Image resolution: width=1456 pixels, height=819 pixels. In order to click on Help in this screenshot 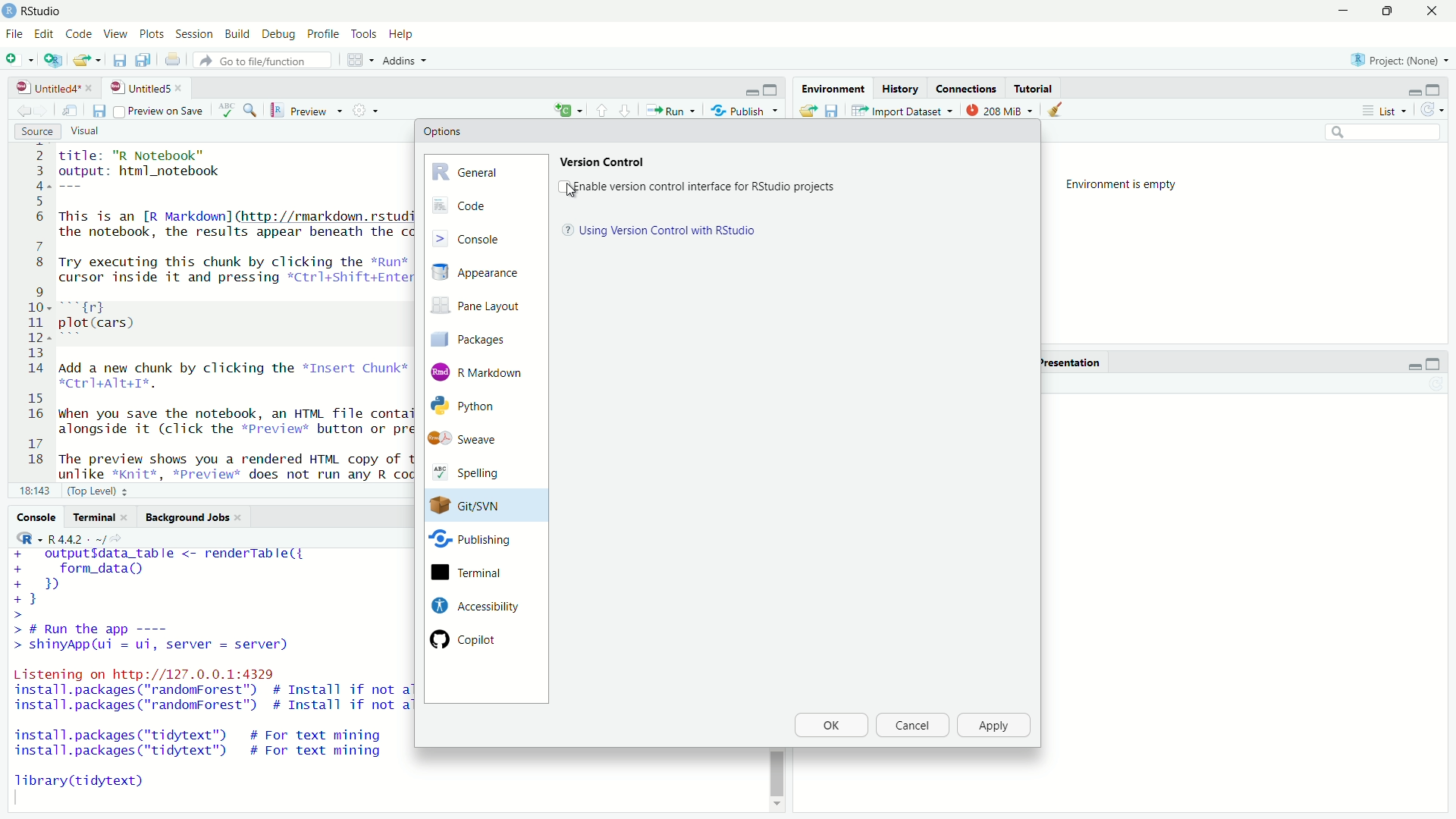, I will do `click(403, 35)`.